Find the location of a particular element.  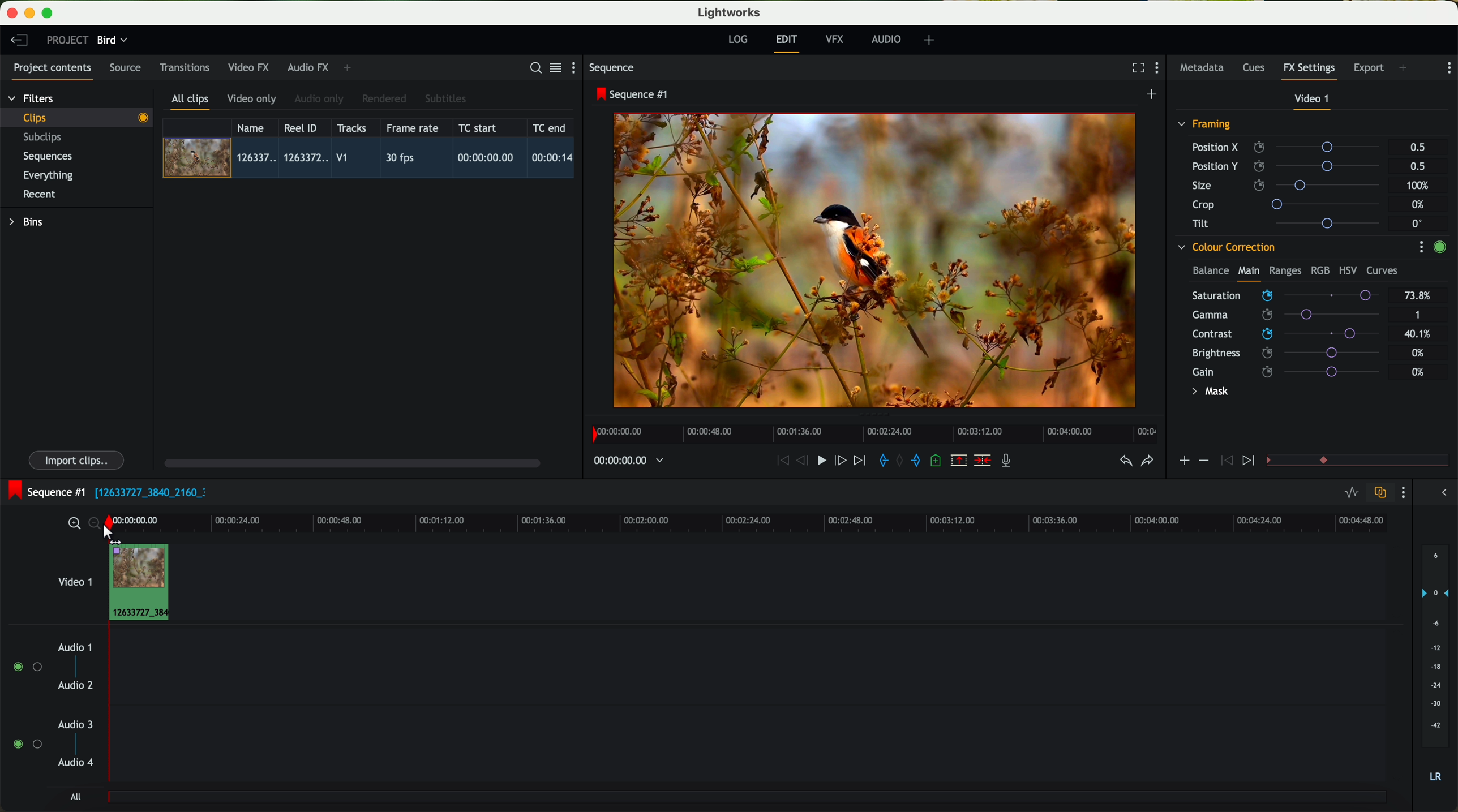

toggle auto track sync is located at coordinates (1378, 493).